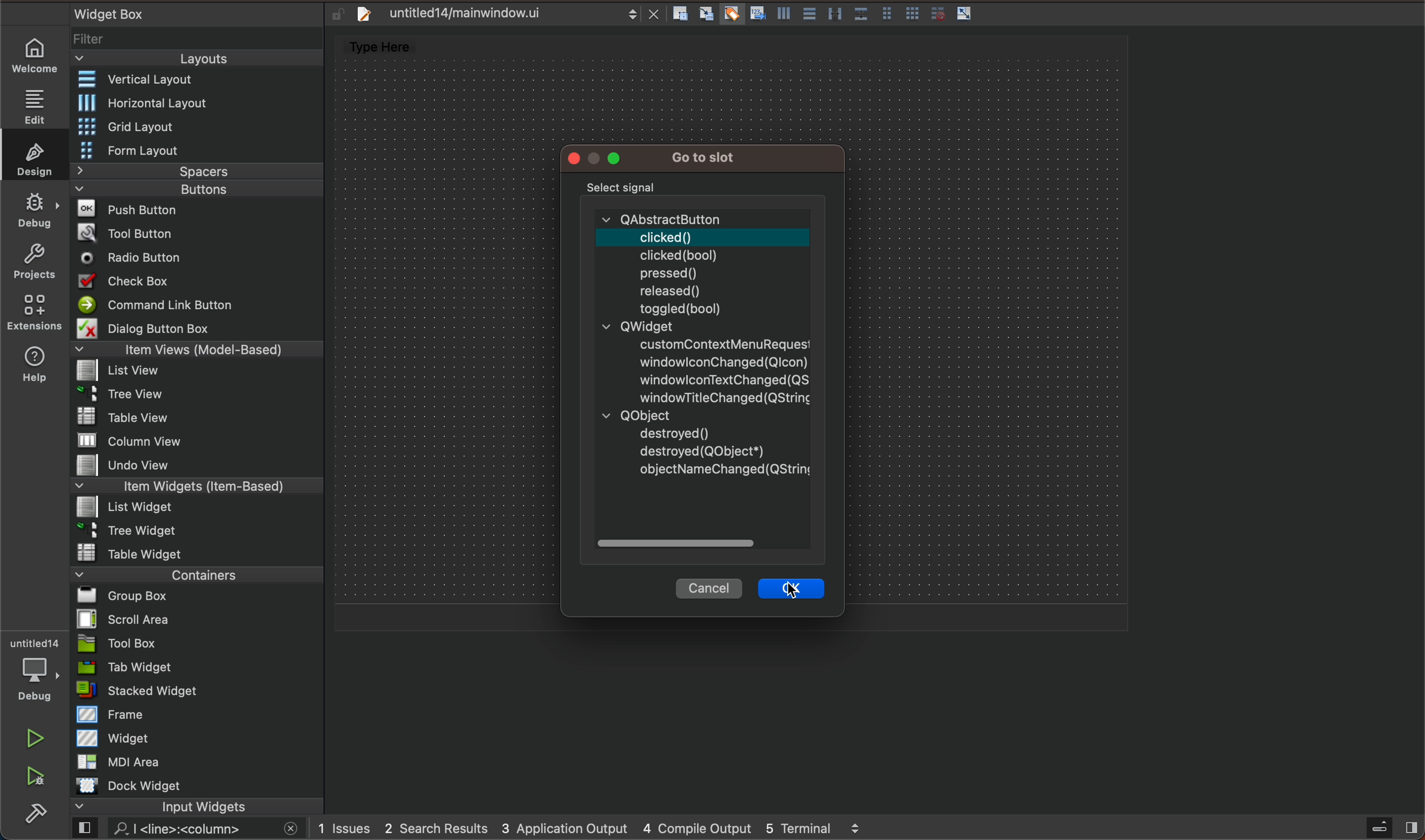 The height and width of the screenshot is (840, 1425). What do you see at coordinates (200, 741) in the screenshot?
I see `widget` at bounding box center [200, 741].